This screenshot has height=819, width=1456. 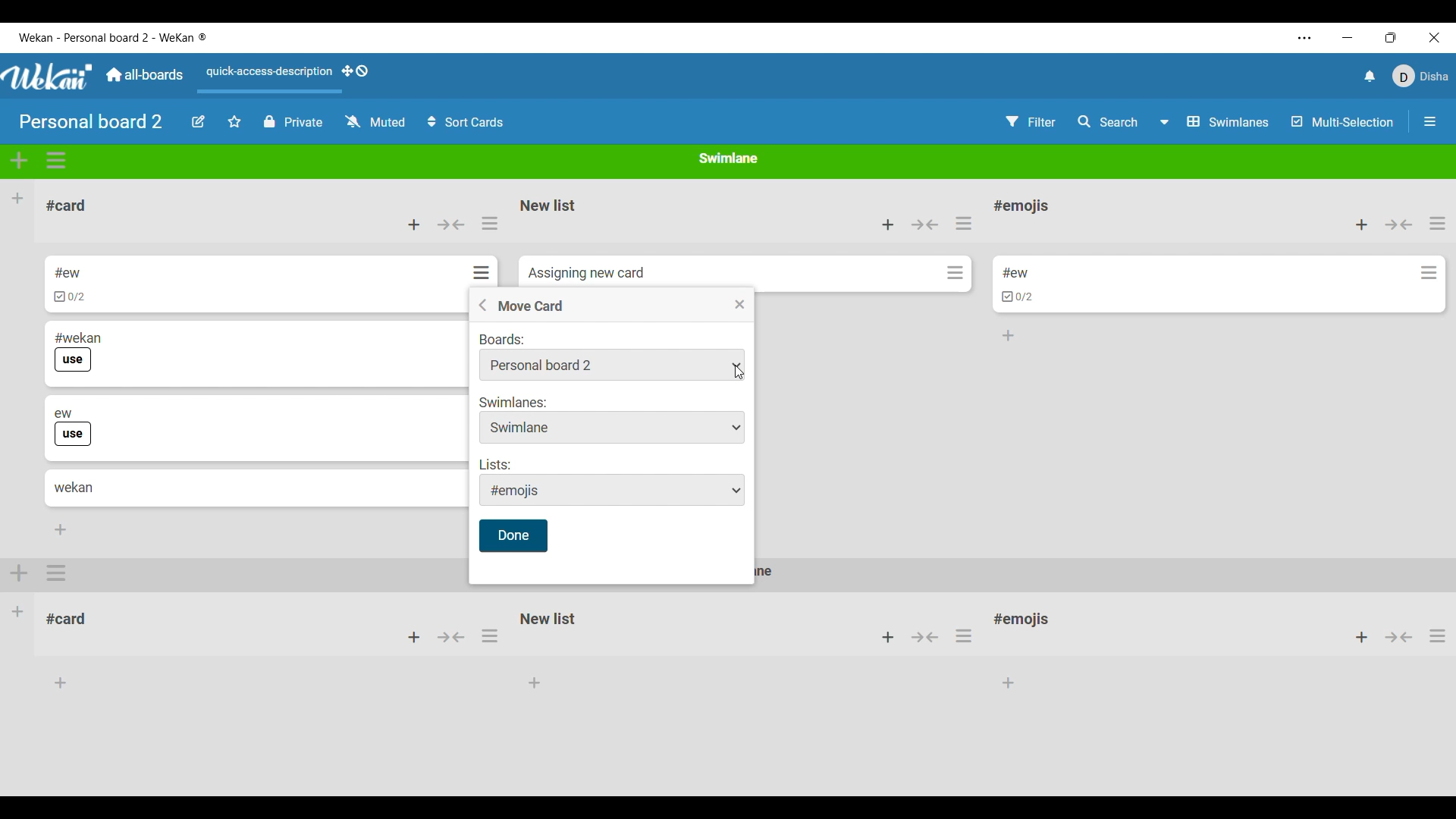 I want to click on Add card to top of list, so click(x=414, y=224).